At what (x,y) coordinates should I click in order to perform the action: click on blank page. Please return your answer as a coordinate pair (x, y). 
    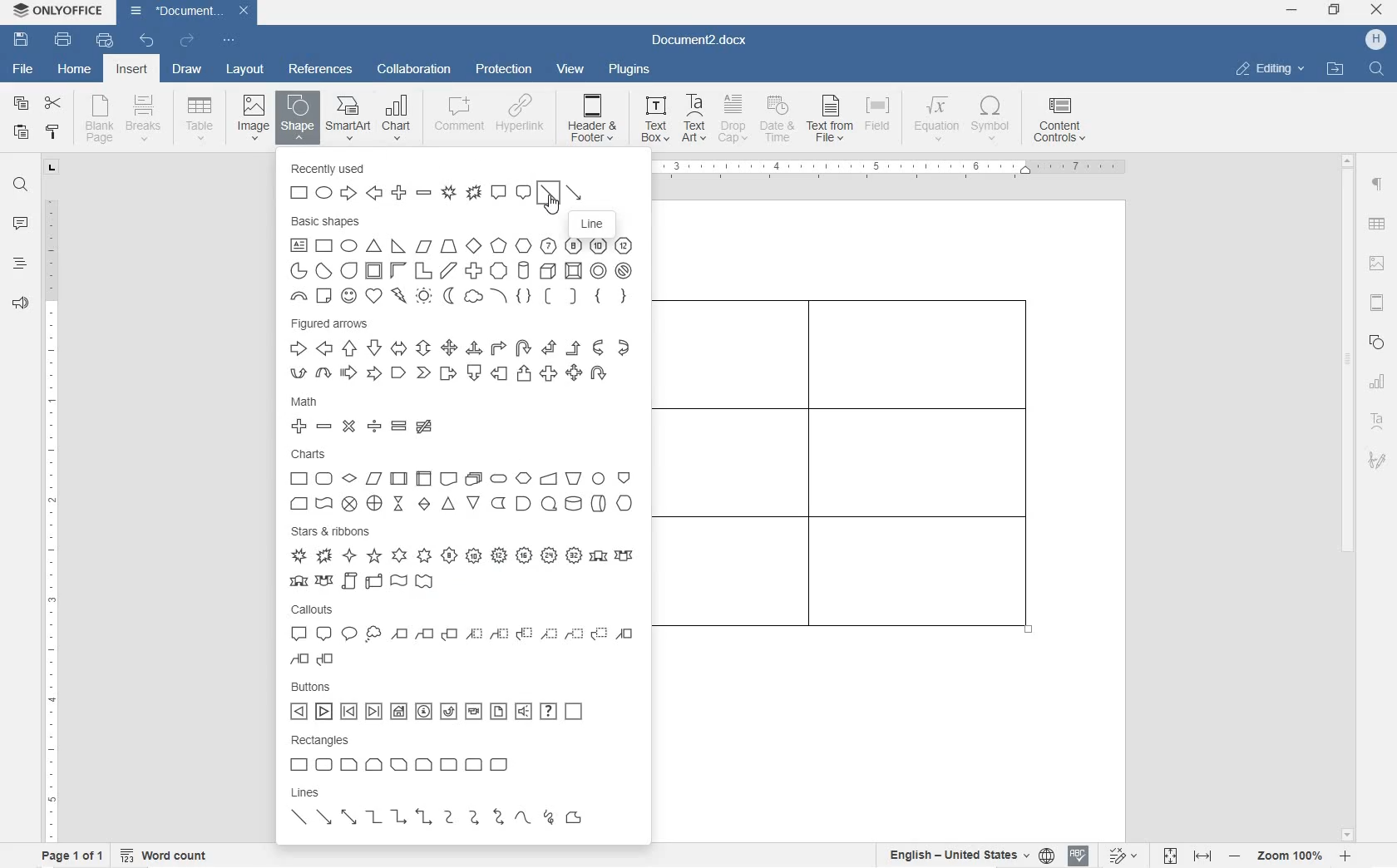
    Looking at the image, I should click on (97, 121).